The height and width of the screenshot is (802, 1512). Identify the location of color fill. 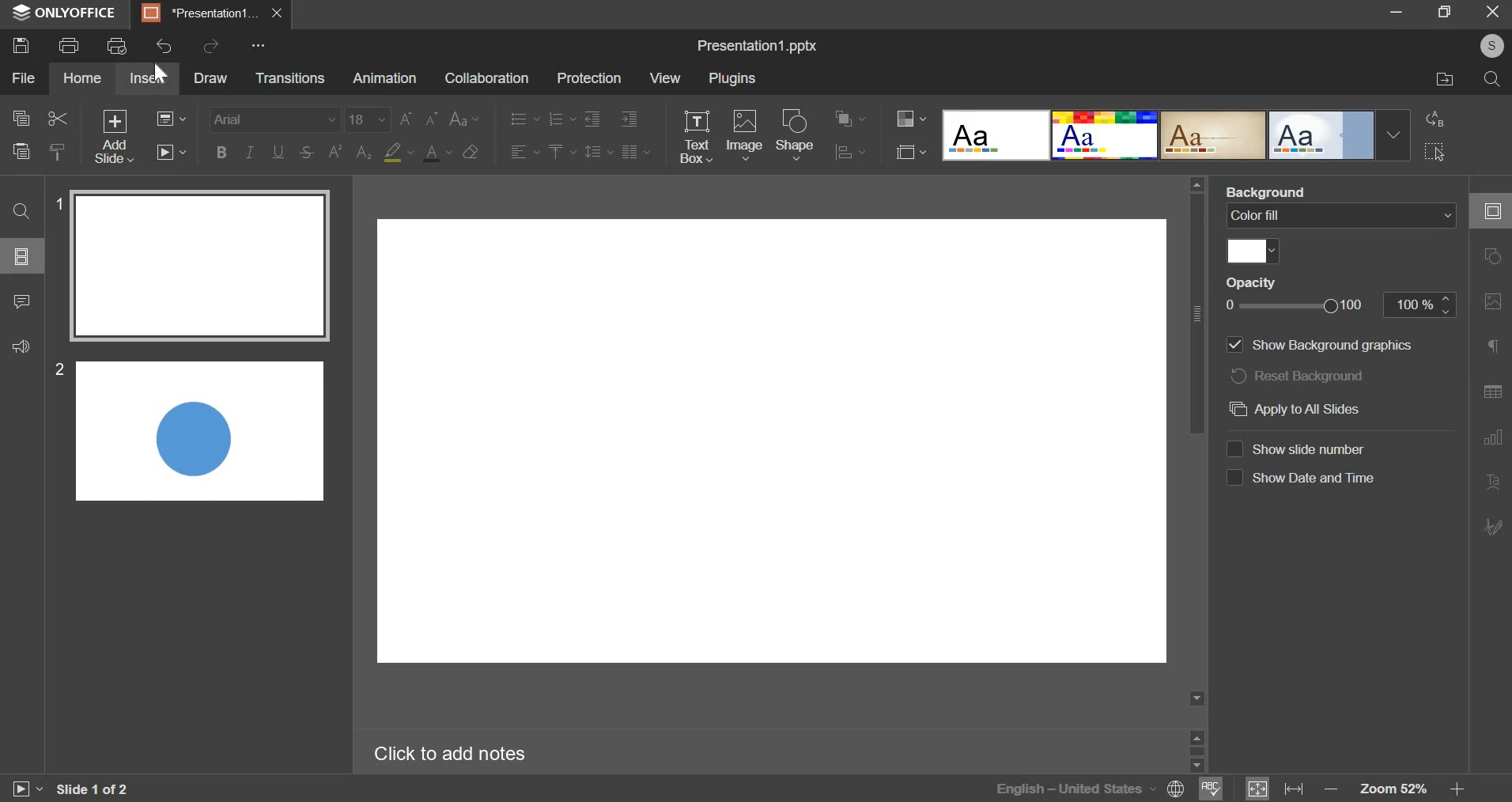
(1341, 217).